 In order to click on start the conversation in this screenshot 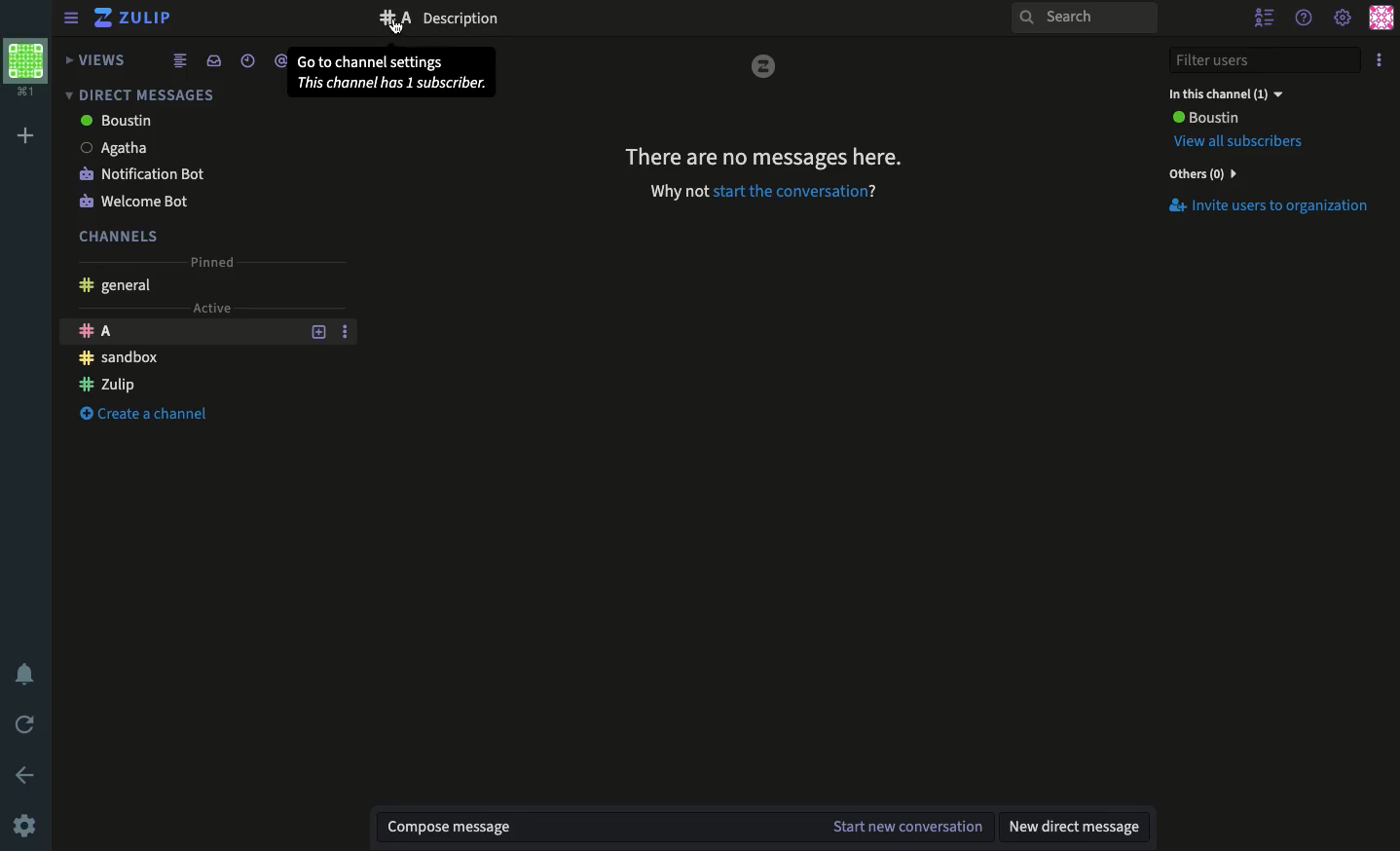, I will do `click(794, 191)`.